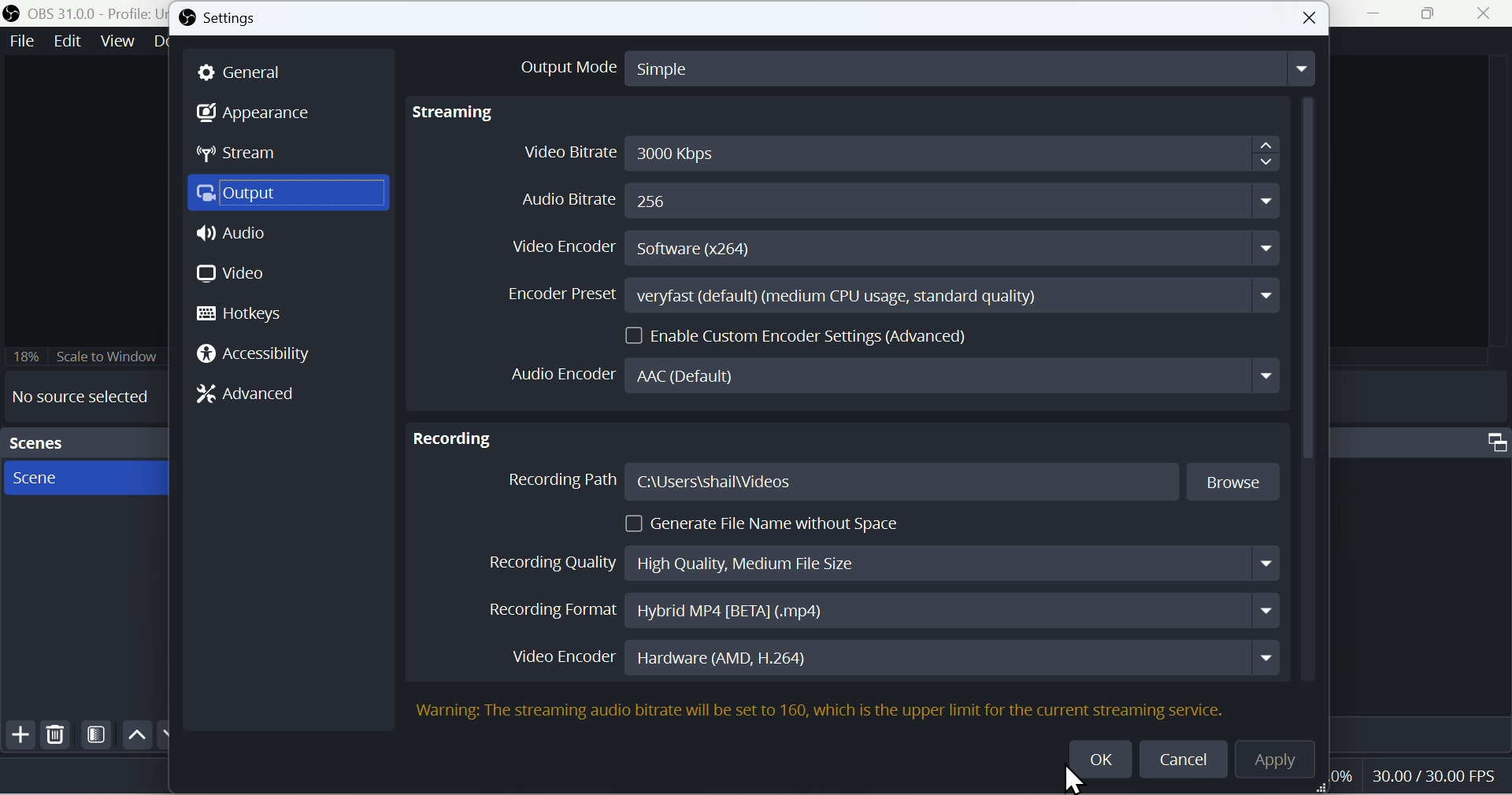  What do you see at coordinates (443, 711) in the screenshot?
I see `warning;` at bounding box center [443, 711].